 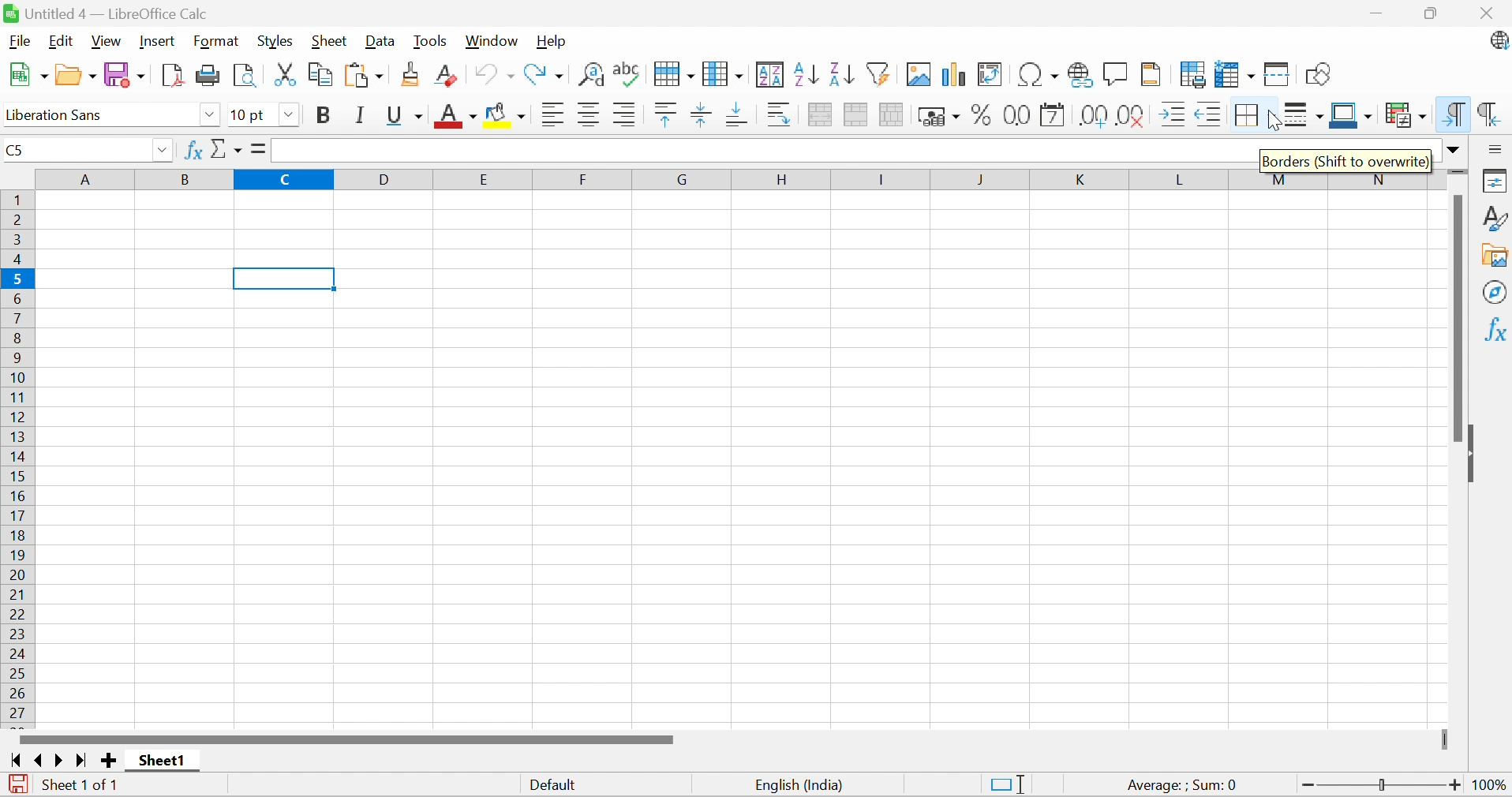 I want to click on Edit, so click(x=58, y=41).